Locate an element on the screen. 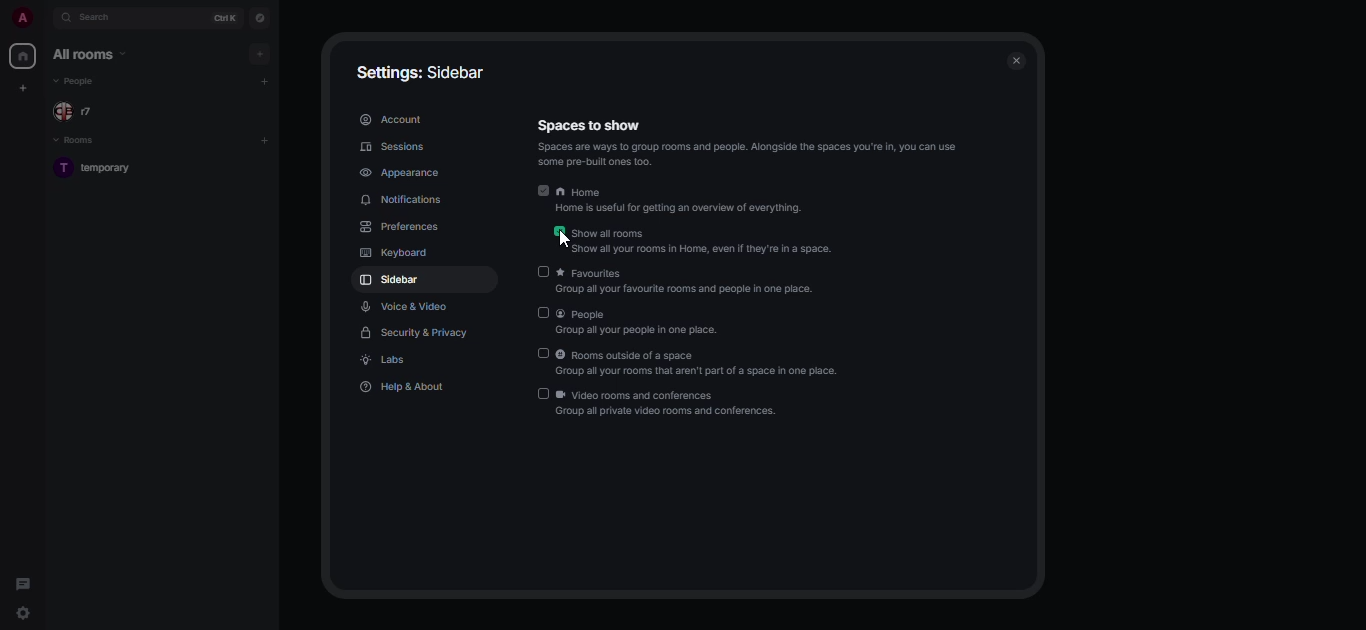  add is located at coordinates (267, 139).